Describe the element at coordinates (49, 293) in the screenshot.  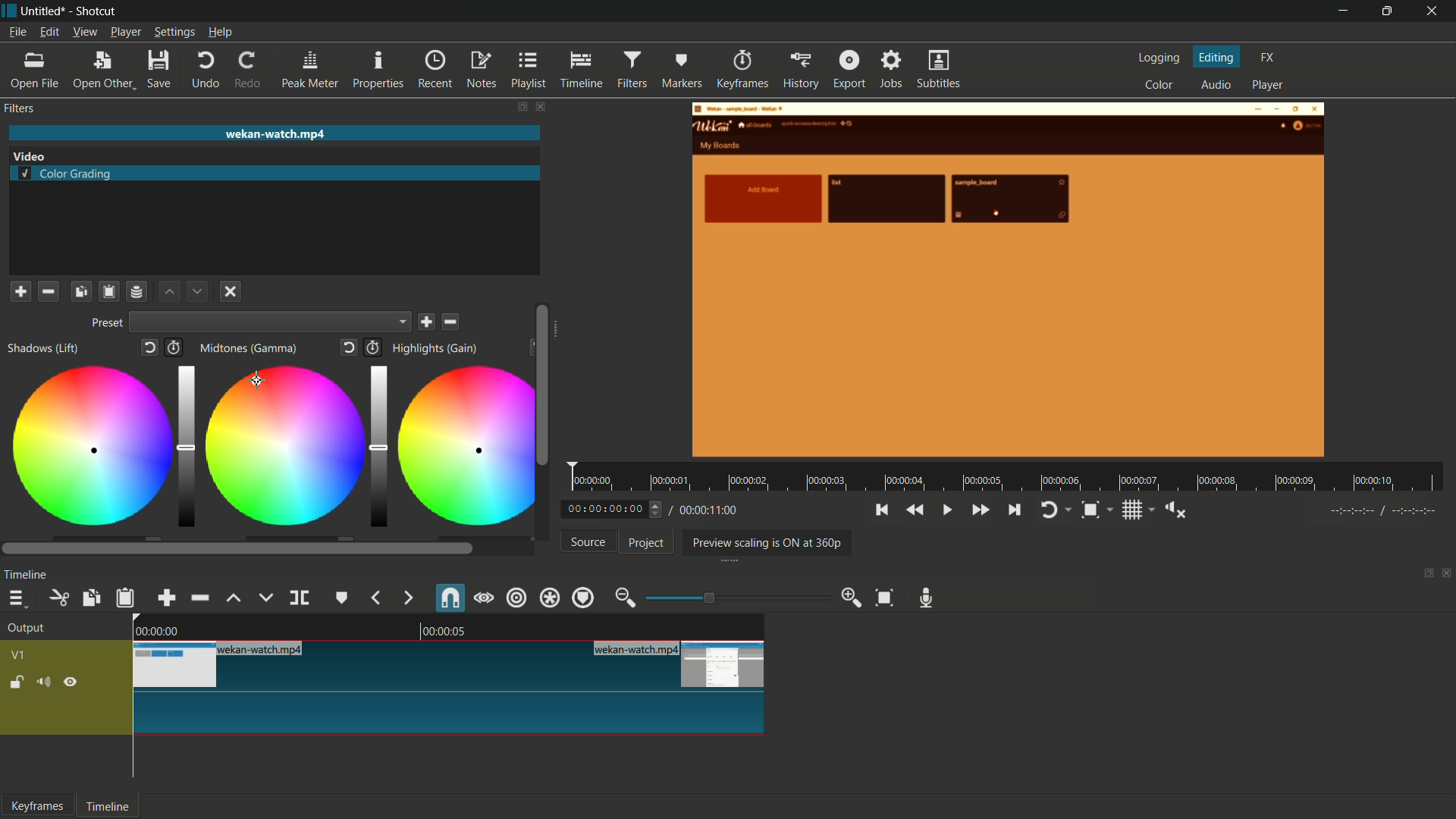
I see `remove a filter` at that location.